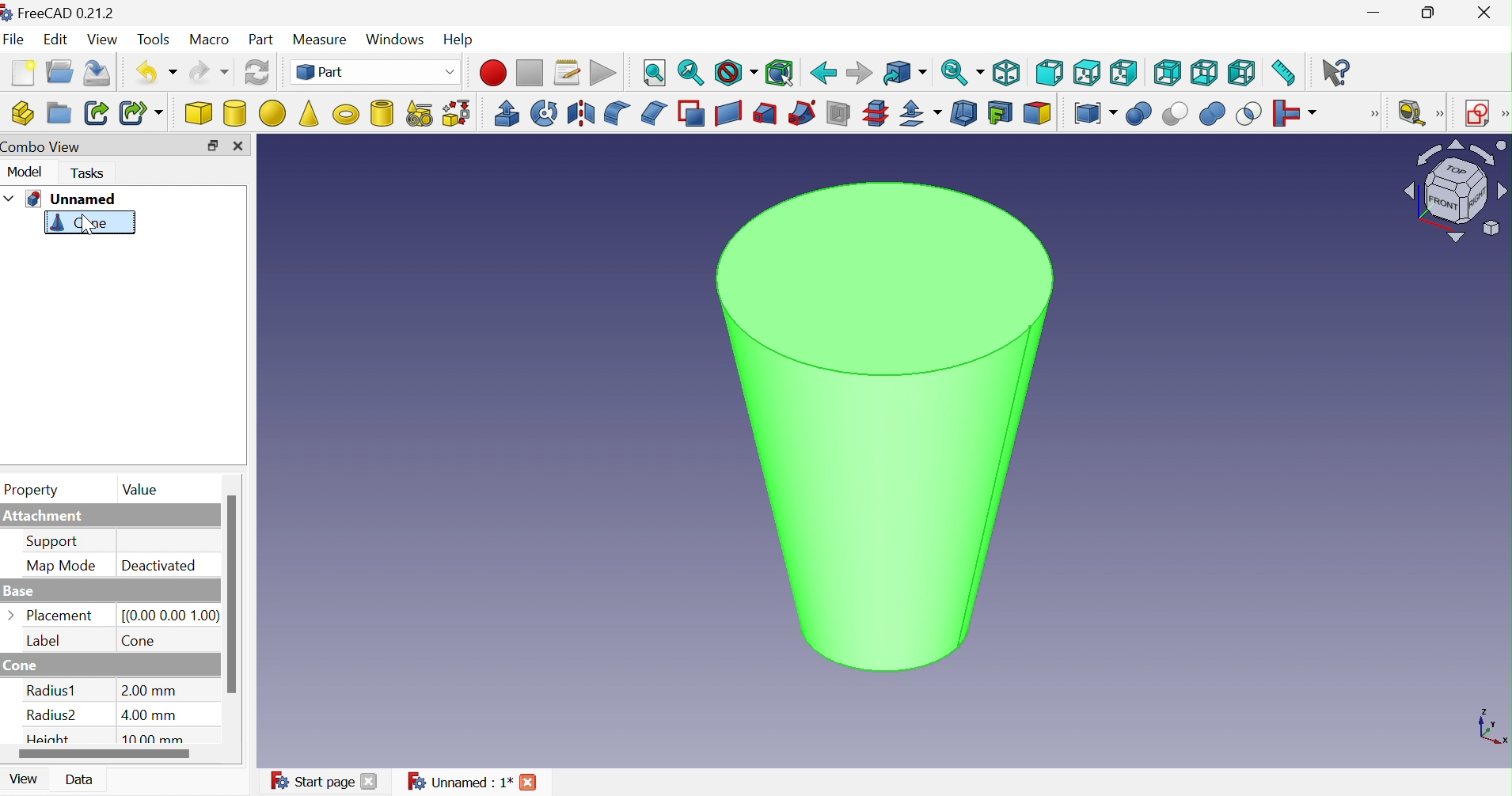 This screenshot has height=796, width=1512. What do you see at coordinates (101, 72) in the screenshot?
I see `Save` at bounding box center [101, 72].